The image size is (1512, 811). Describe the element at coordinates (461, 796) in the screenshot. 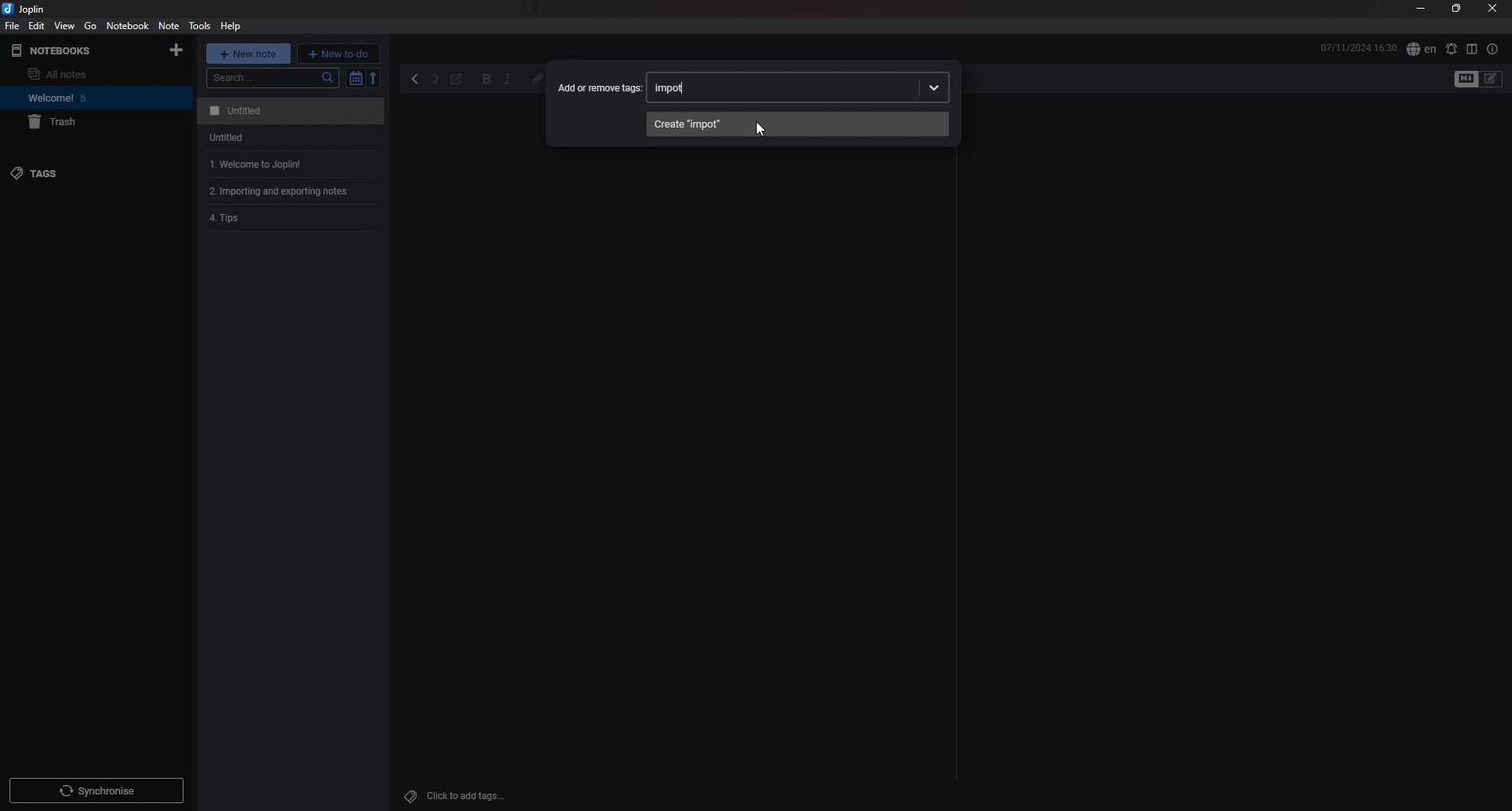

I see `add tags` at that location.